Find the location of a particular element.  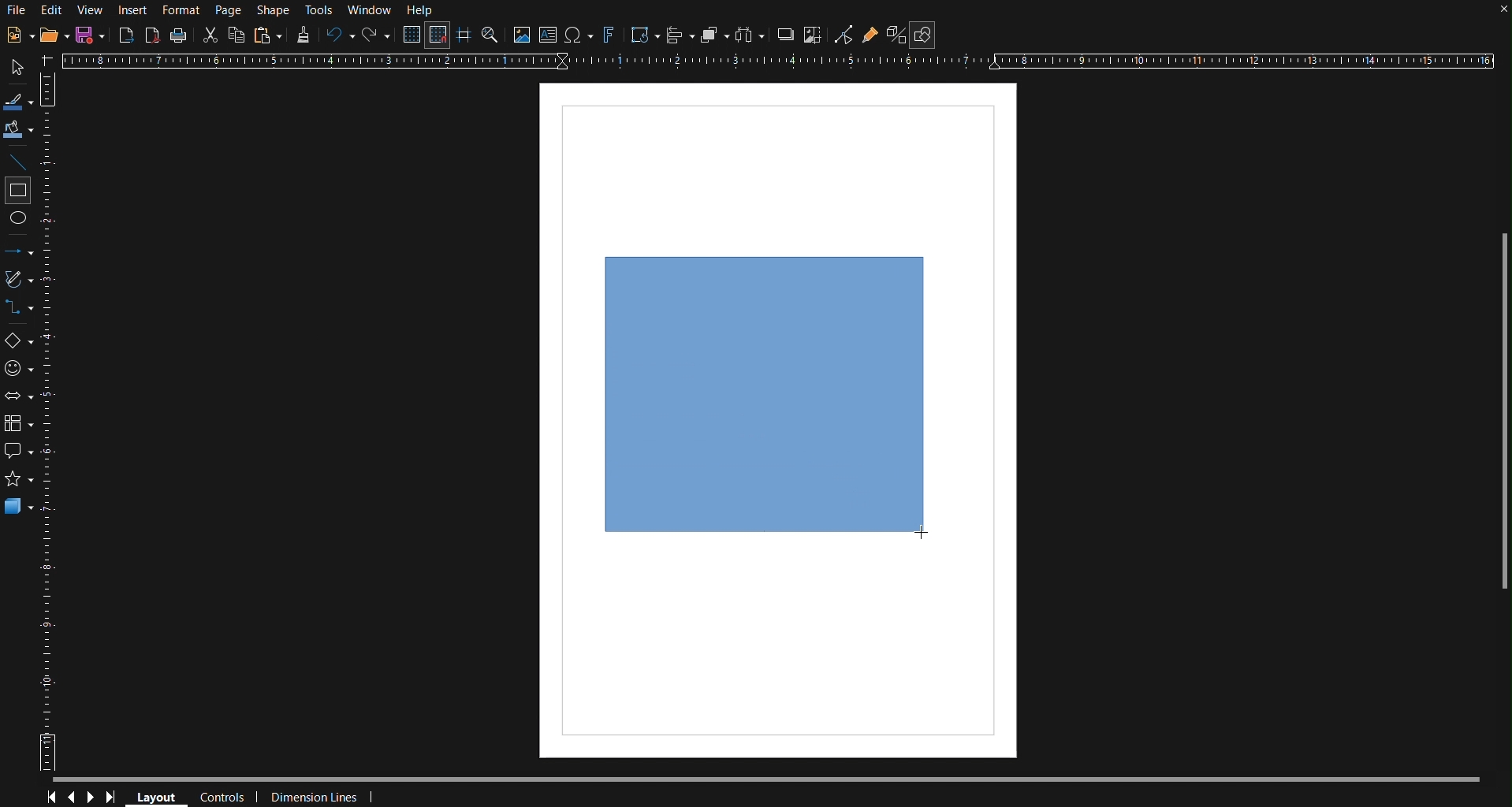

Fontworks is located at coordinates (608, 35).